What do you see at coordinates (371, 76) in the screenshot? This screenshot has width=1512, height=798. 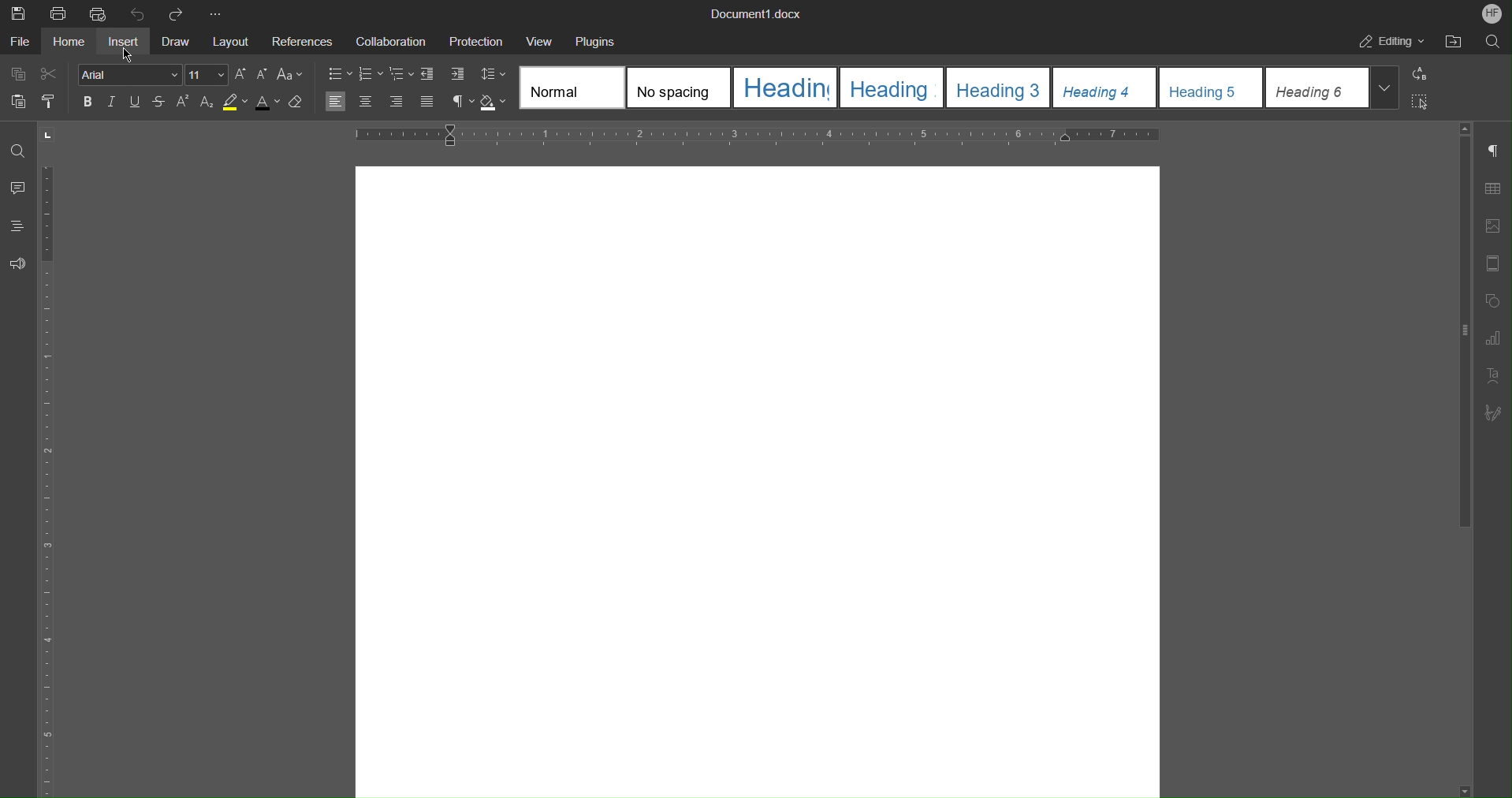 I see `Numbered List` at bounding box center [371, 76].